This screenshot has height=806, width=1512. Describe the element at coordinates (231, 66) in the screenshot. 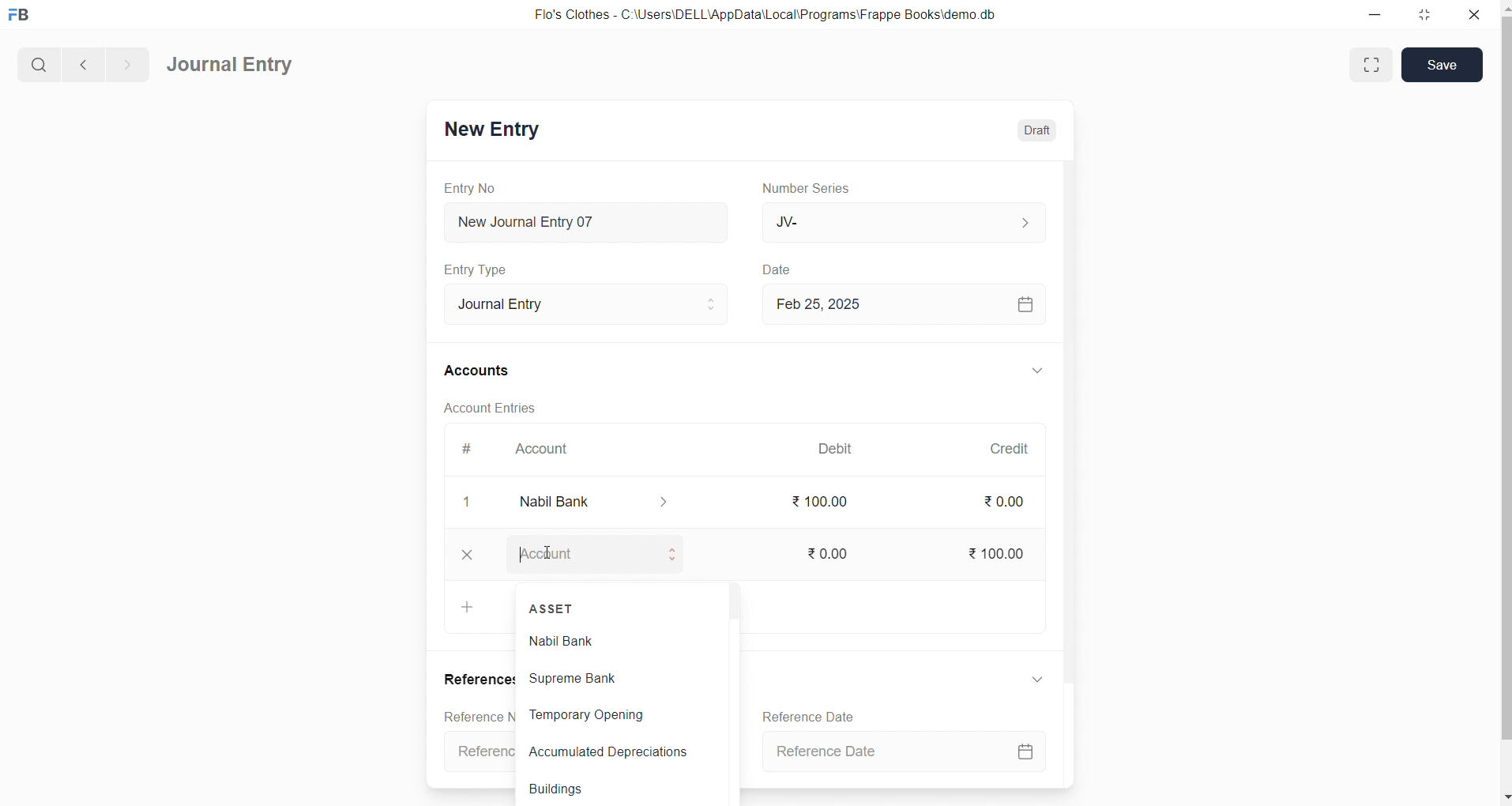

I see `Journal Entry` at that location.